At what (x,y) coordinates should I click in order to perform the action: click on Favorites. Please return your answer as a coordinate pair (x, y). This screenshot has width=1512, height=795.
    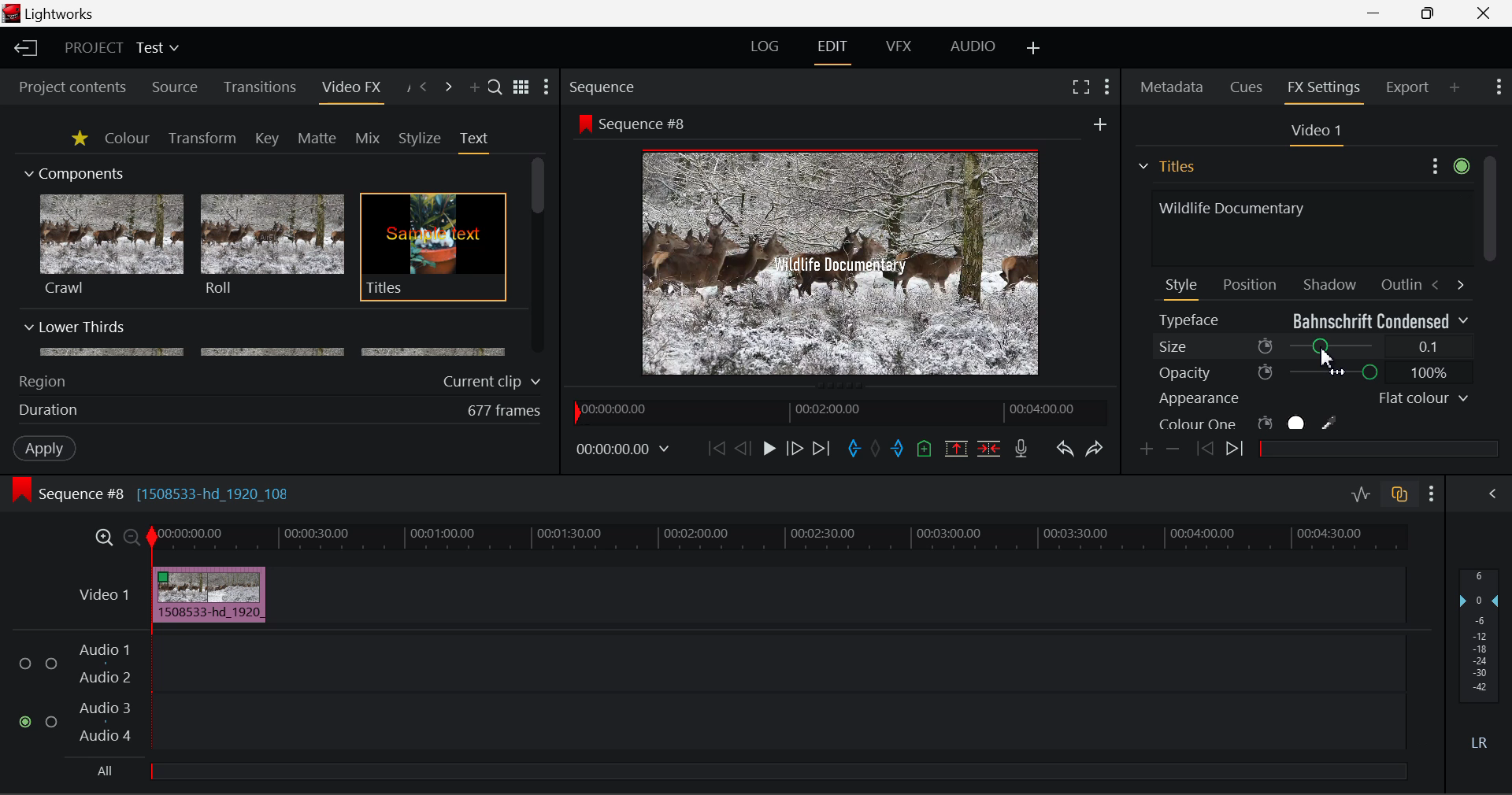
    Looking at the image, I should click on (81, 139).